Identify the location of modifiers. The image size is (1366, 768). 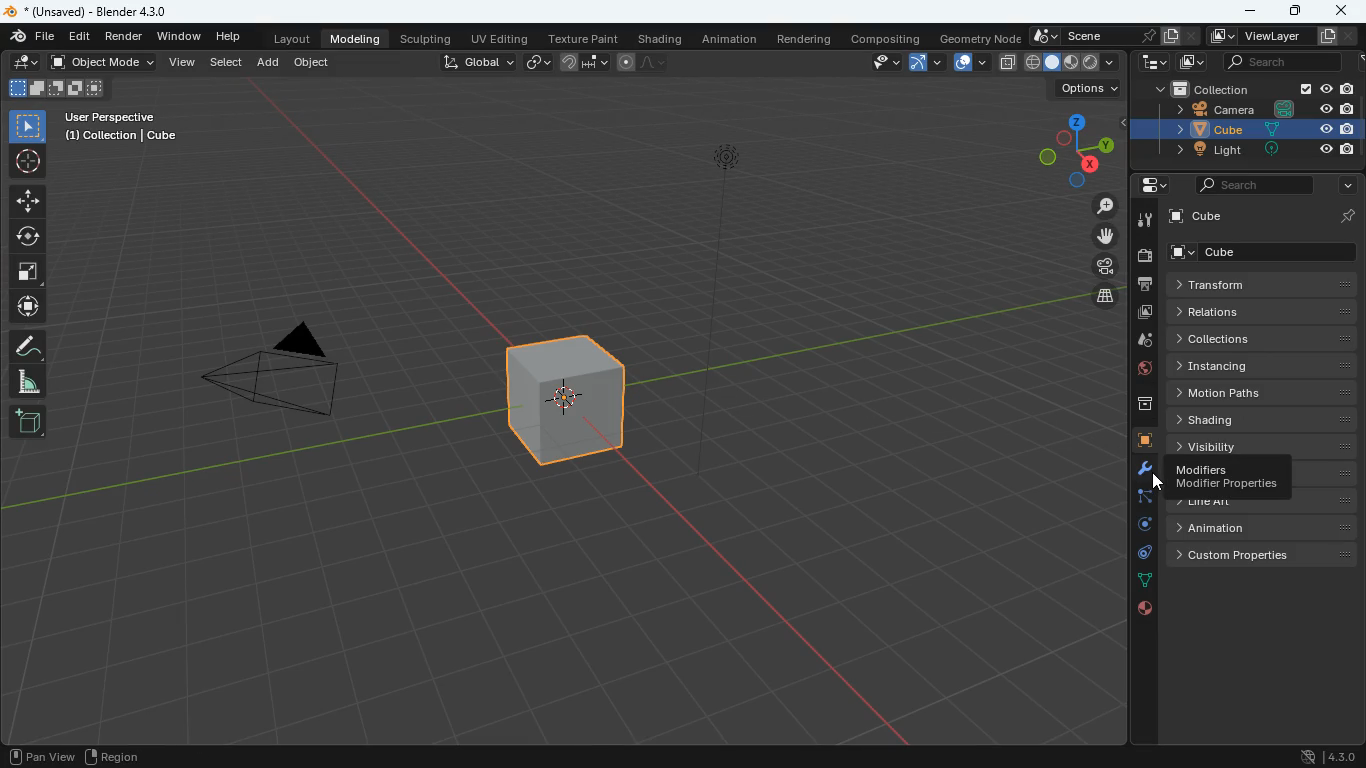
(1141, 472).